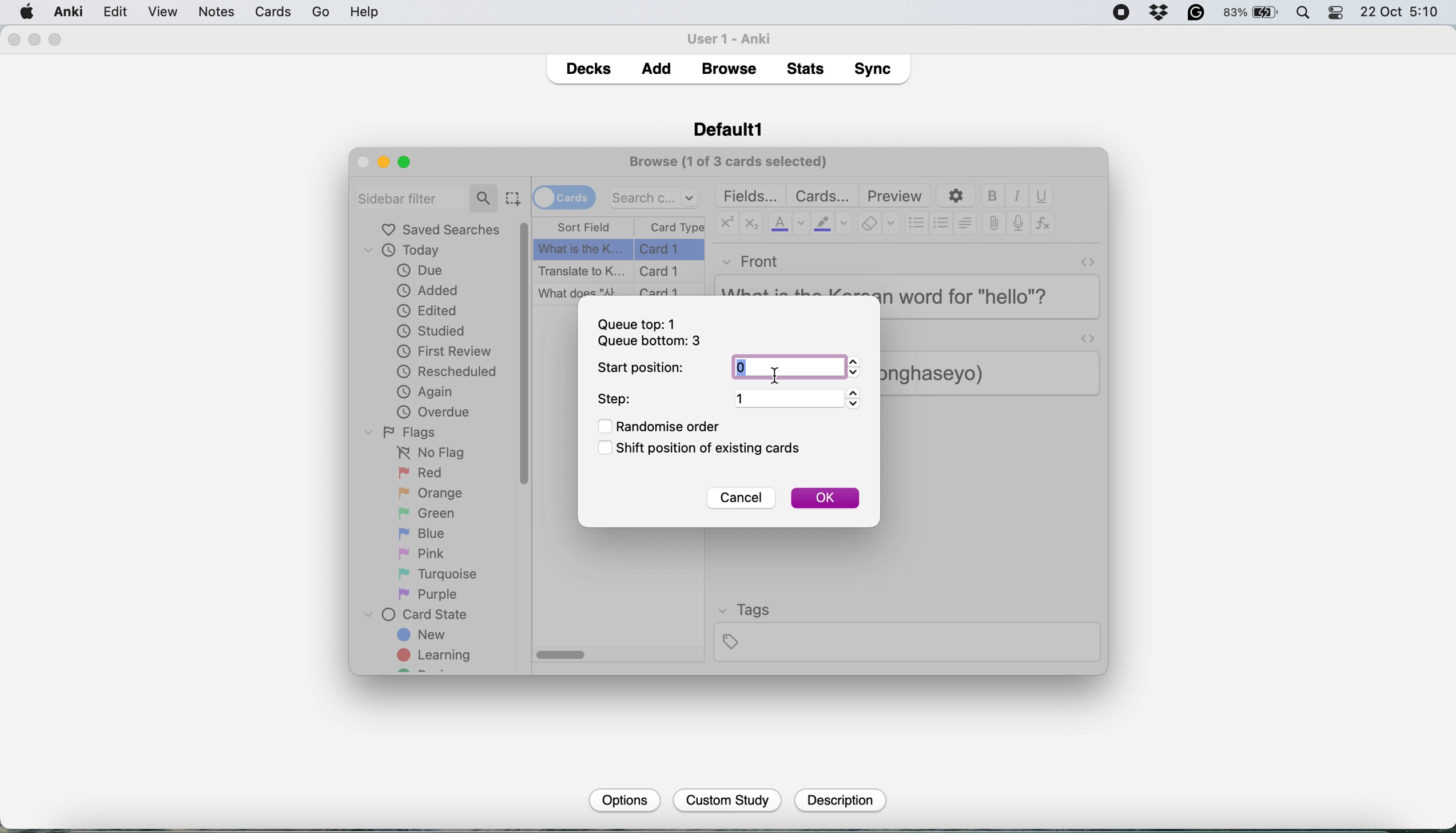 The height and width of the screenshot is (833, 1456). I want to click on maximise, so click(56, 40).